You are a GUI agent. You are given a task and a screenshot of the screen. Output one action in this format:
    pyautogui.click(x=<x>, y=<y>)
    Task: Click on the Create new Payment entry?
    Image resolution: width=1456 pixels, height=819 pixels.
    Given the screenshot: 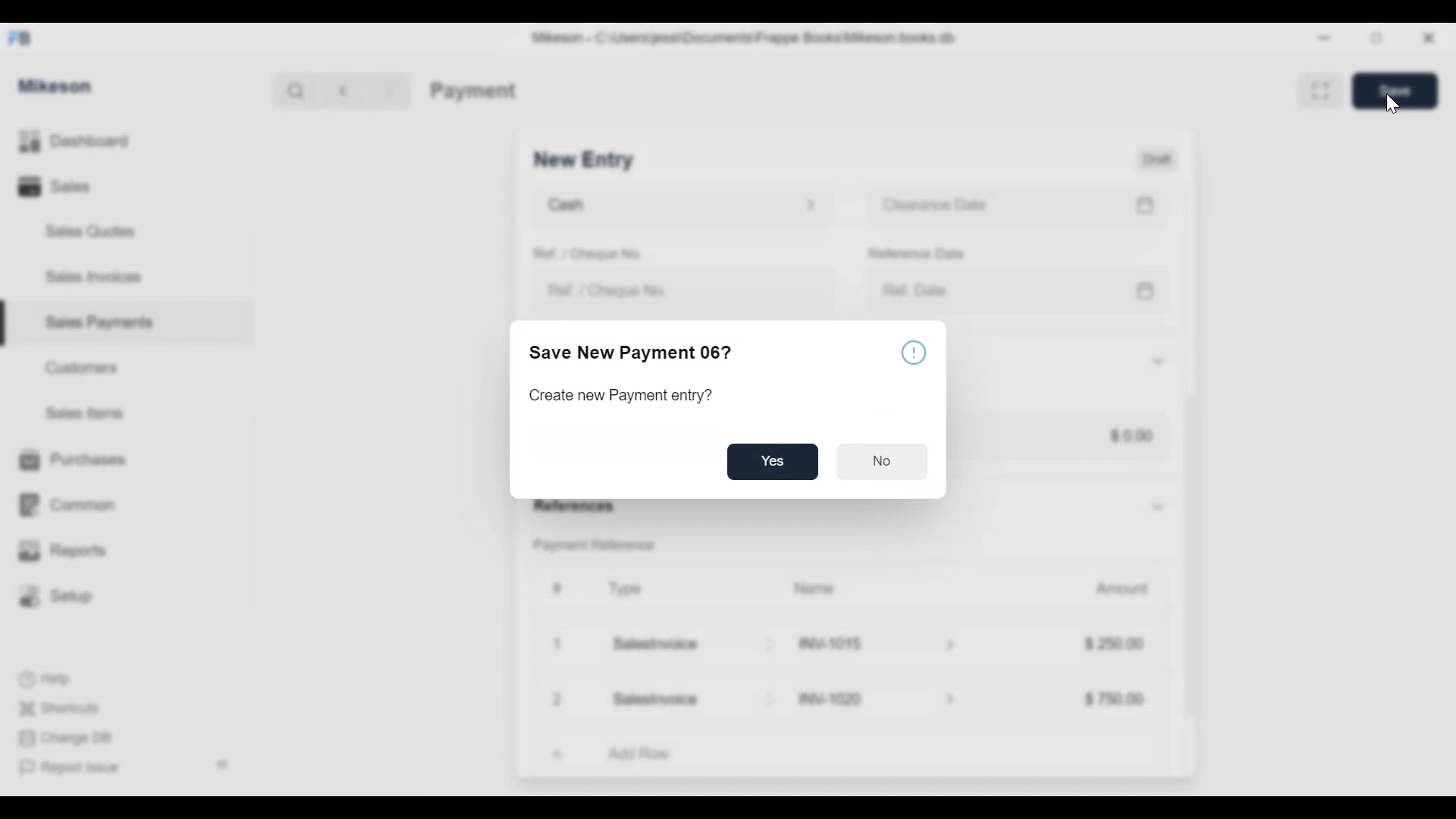 What is the action you would take?
    pyautogui.click(x=625, y=397)
    